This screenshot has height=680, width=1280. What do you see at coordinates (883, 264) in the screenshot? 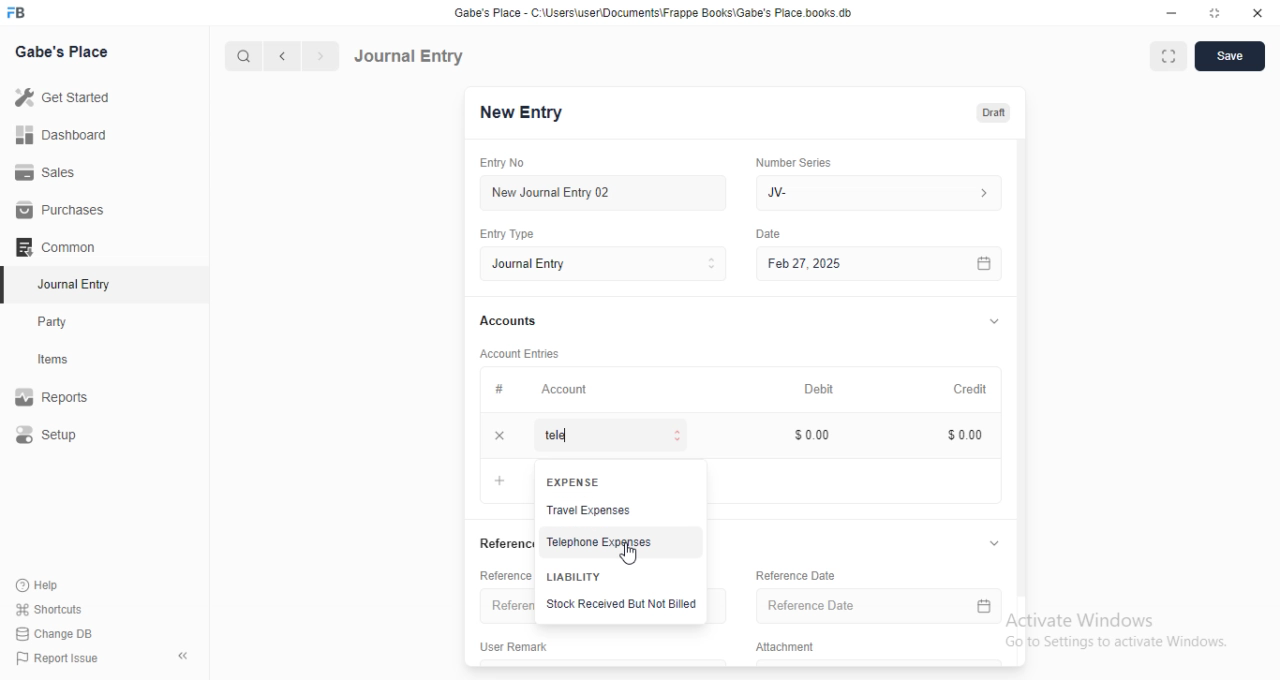
I see `Feb 27, 2025` at bounding box center [883, 264].